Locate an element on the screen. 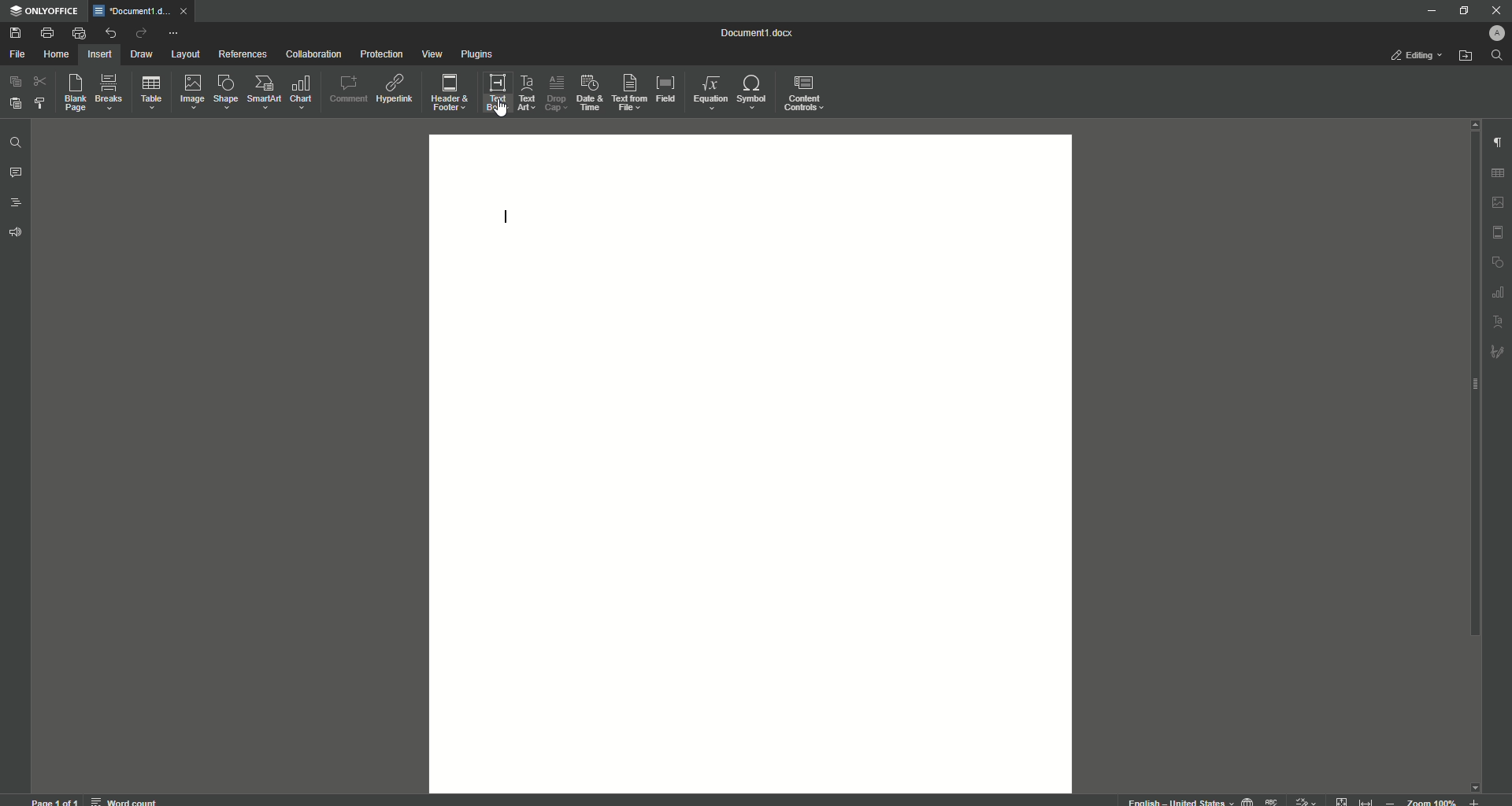 The image size is (1512, 806). Content Controls is located at coordinates (806, 95).